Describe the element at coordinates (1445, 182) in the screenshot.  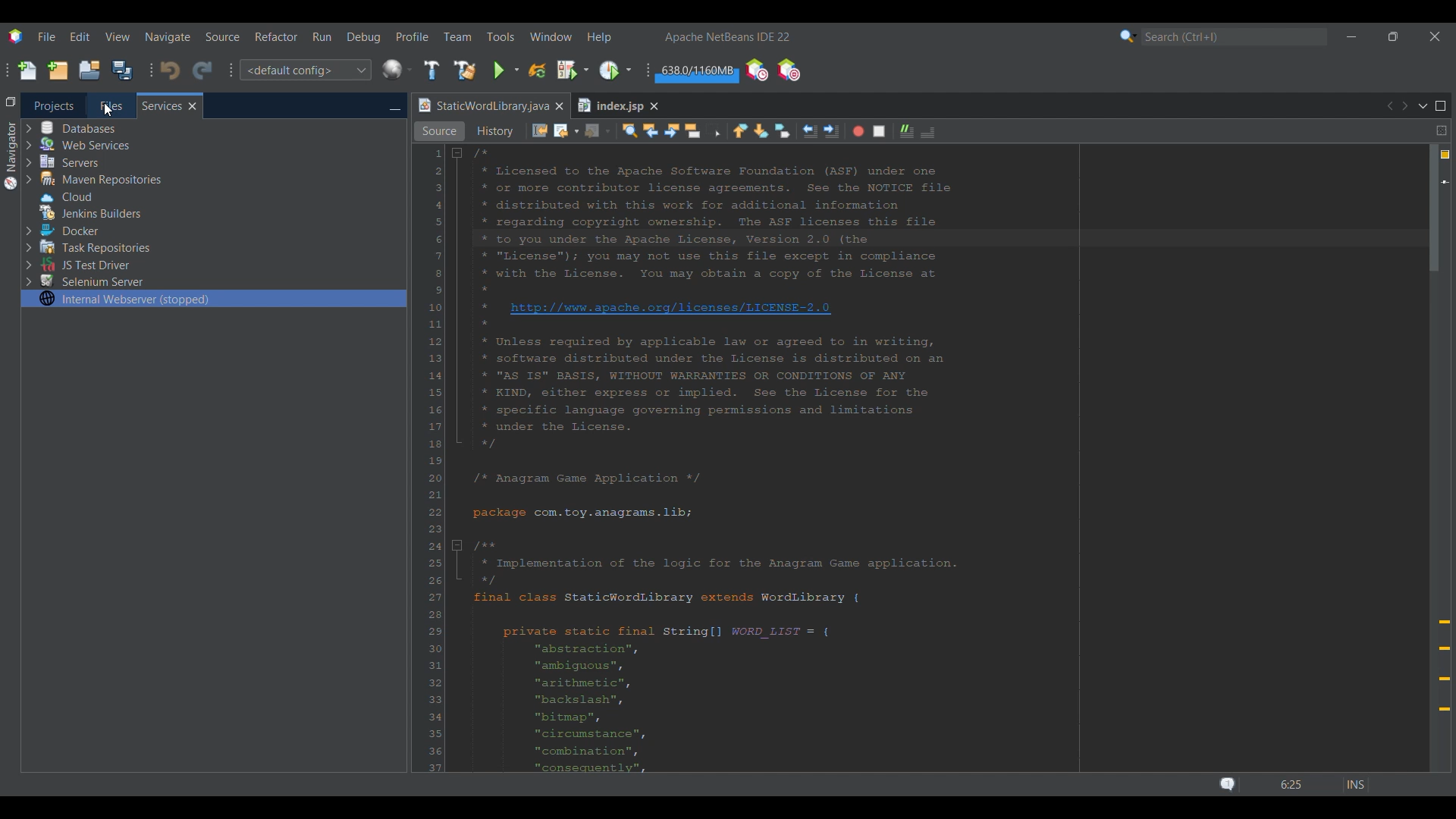
I see `Bookmark` at that location.